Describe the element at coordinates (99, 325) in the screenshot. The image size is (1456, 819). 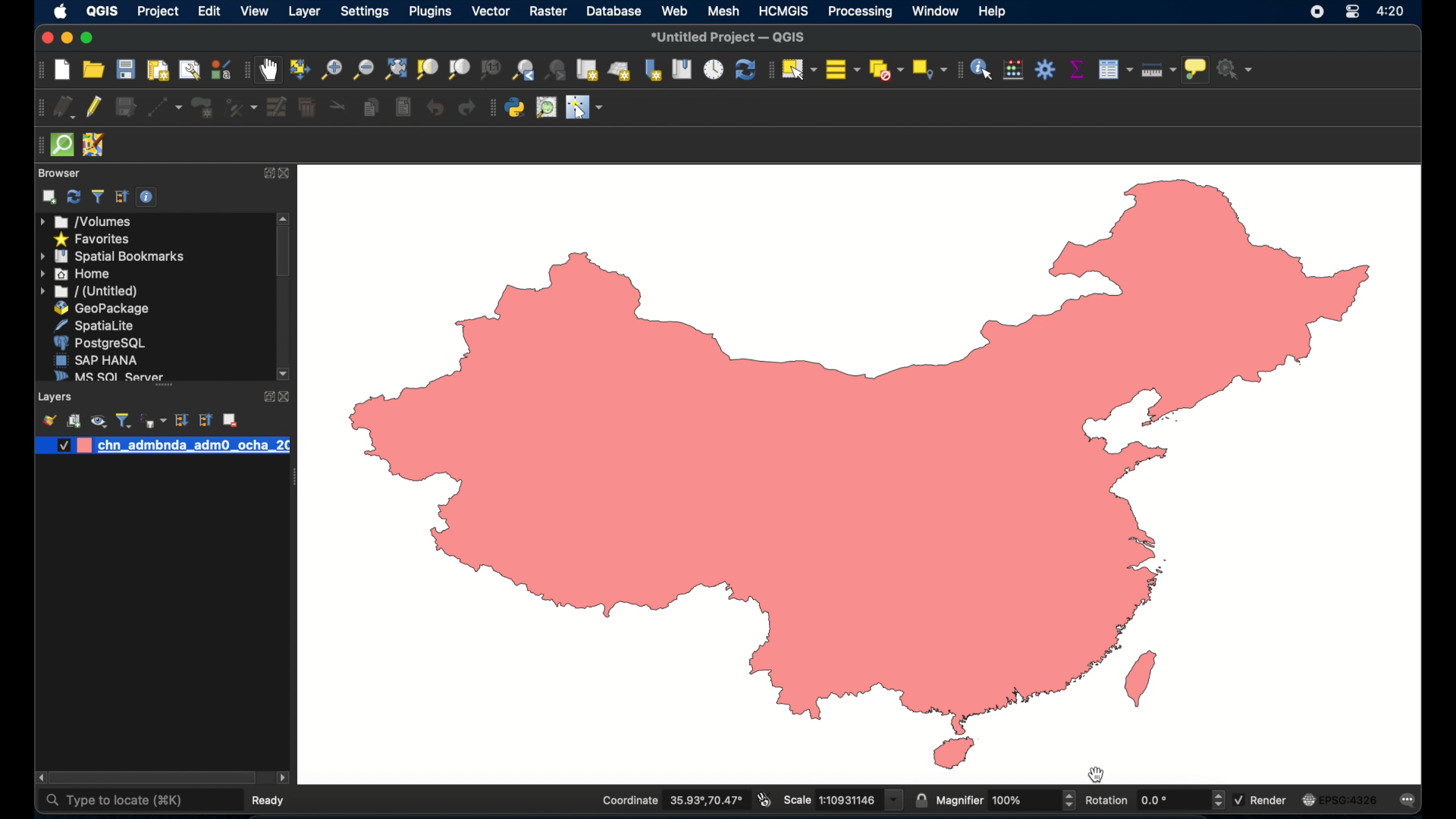
I see `spatiallite` at that location.